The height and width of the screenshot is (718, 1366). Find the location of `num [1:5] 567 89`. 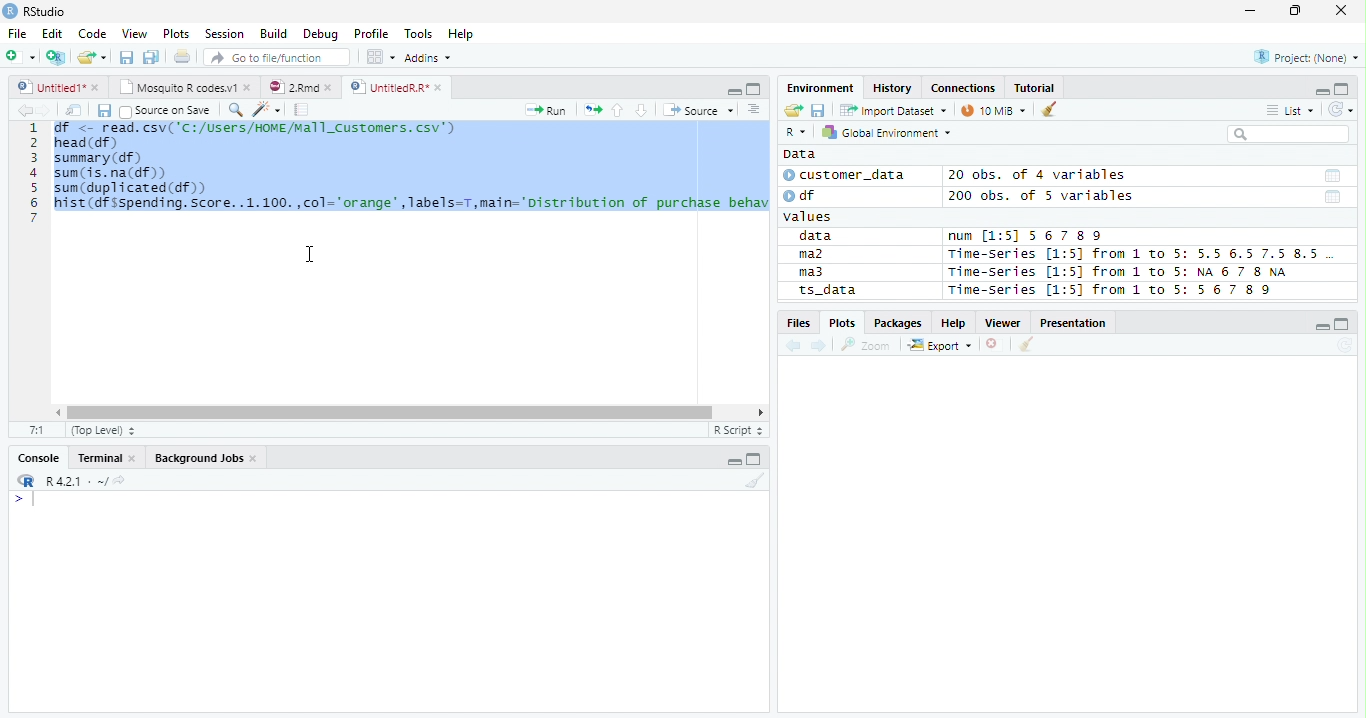

num [1:5] 567 89 is located at coordinates (1026, 236).